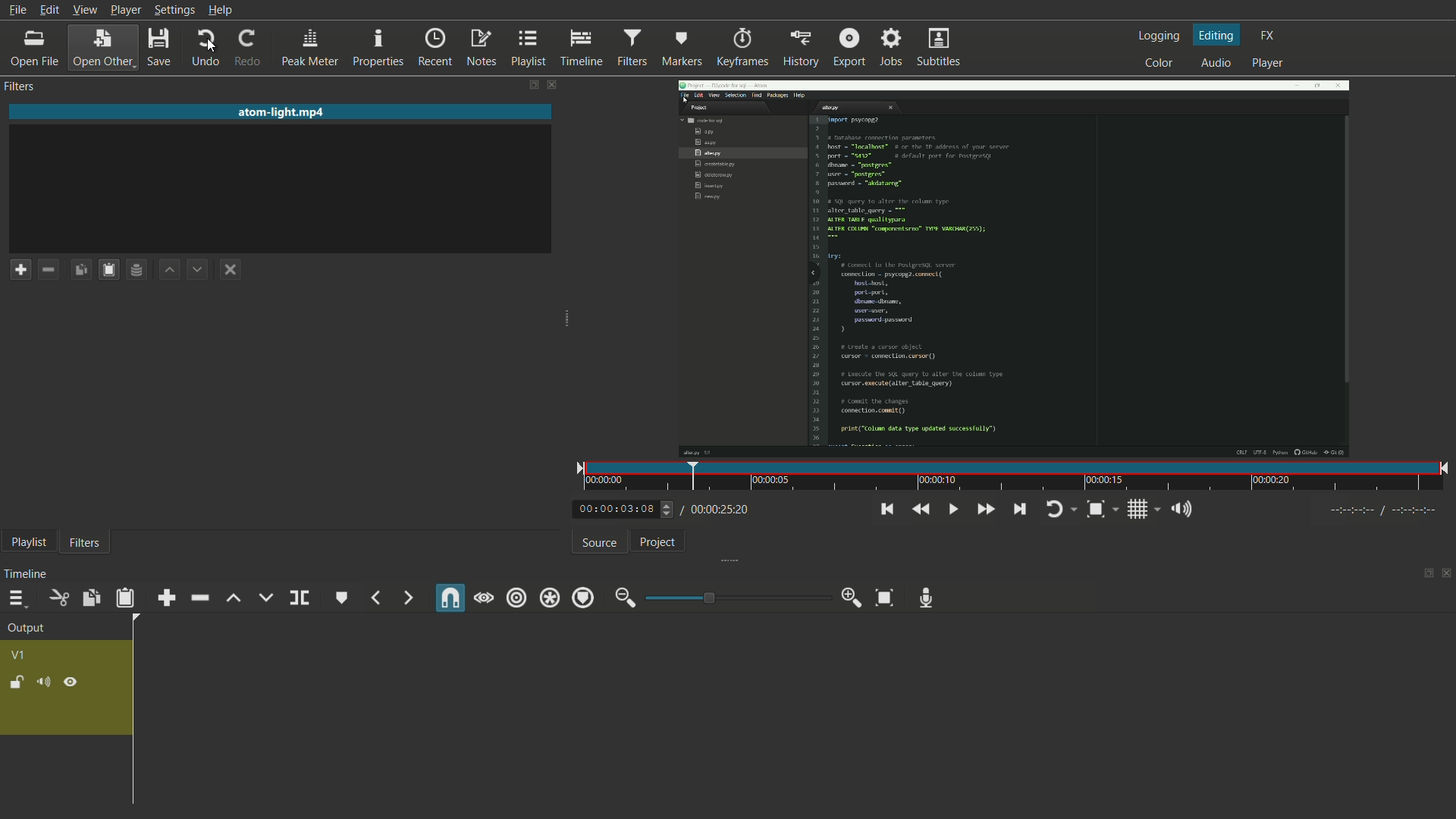 The height and width of the screenshot is (819, 1456). I want to click on total time, so click(718, 510).